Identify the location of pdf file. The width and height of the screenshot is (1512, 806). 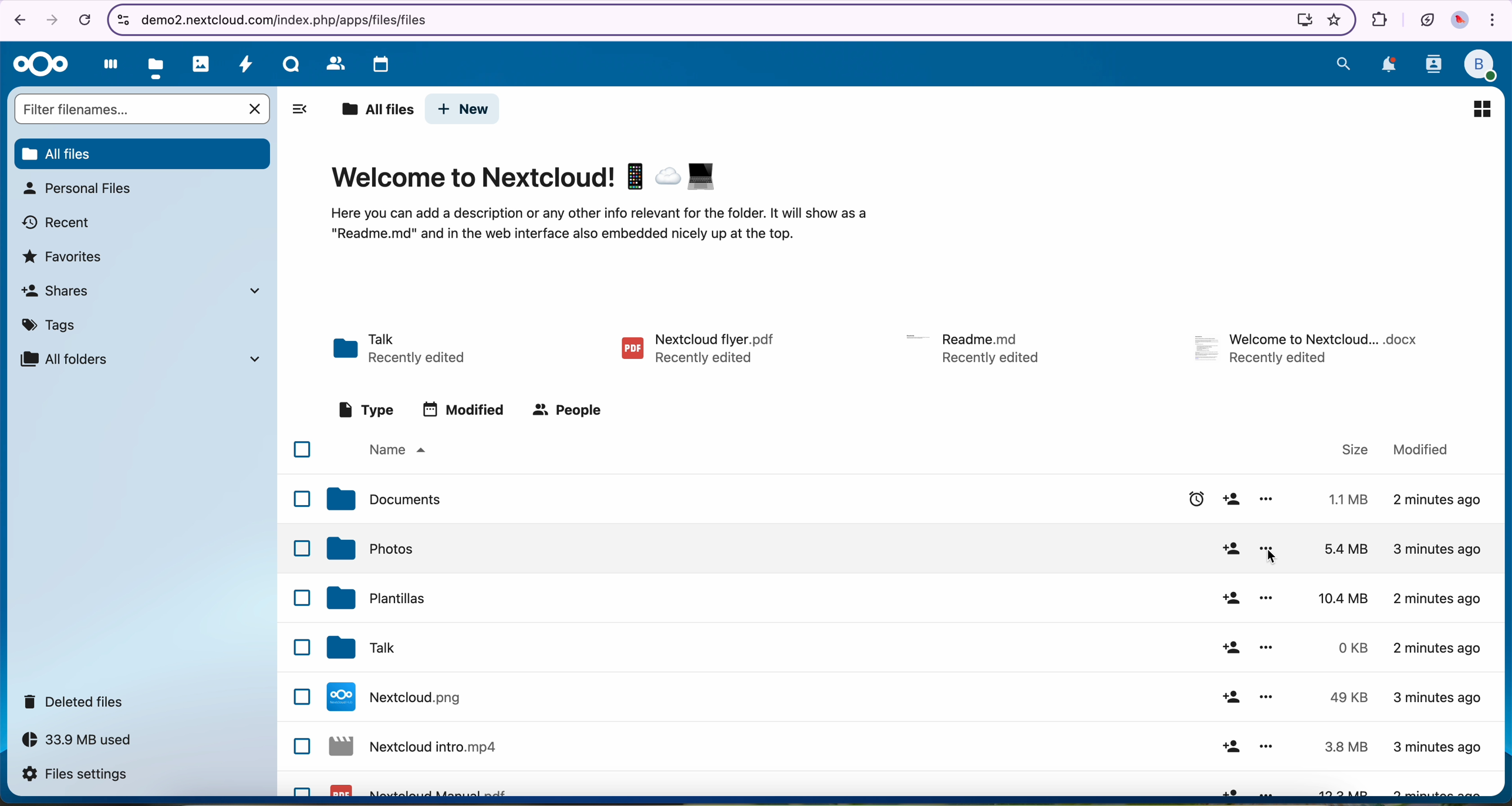
(697, 346).